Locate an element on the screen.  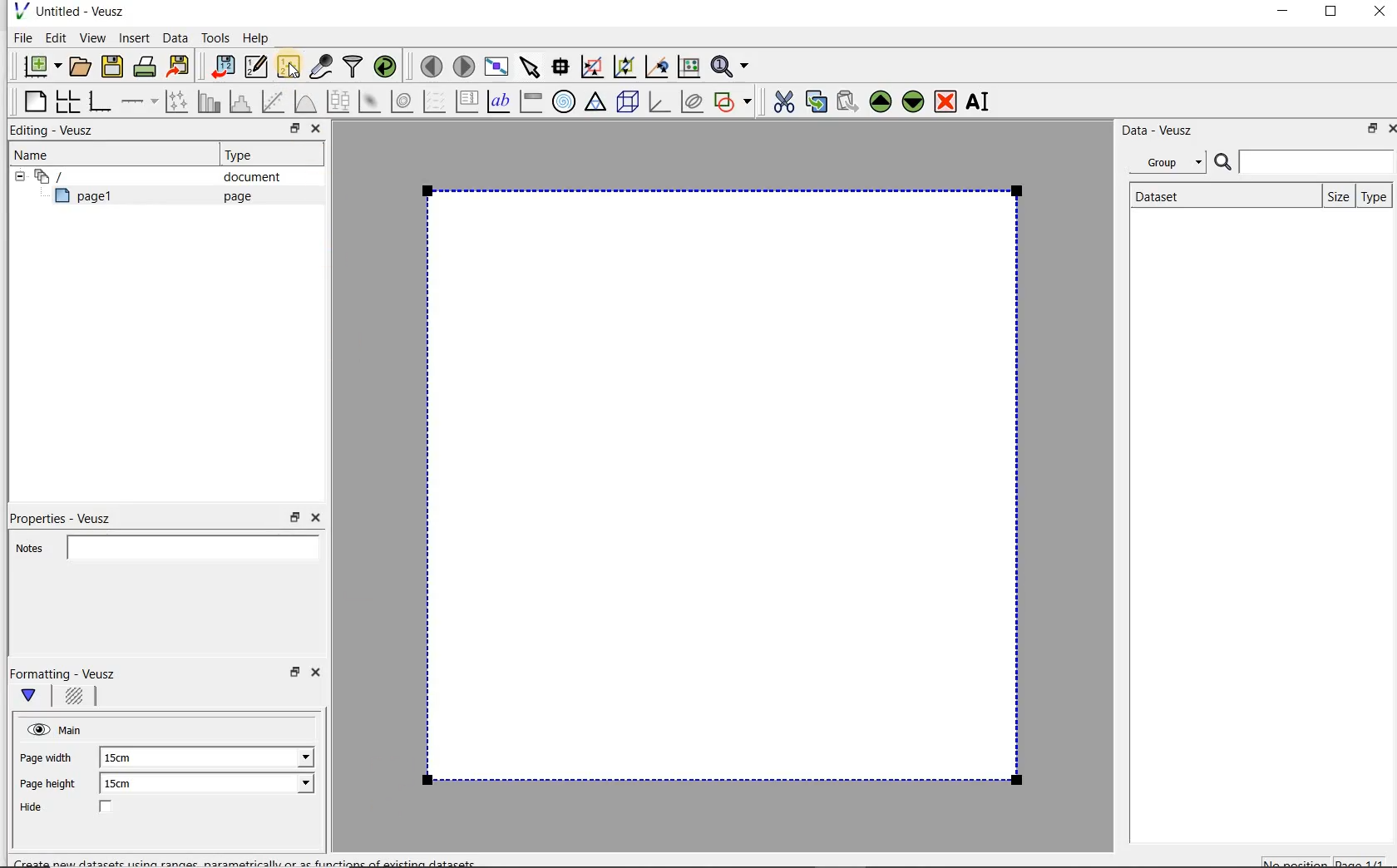
add an axis to a plot is located at coordinates (141, 101).